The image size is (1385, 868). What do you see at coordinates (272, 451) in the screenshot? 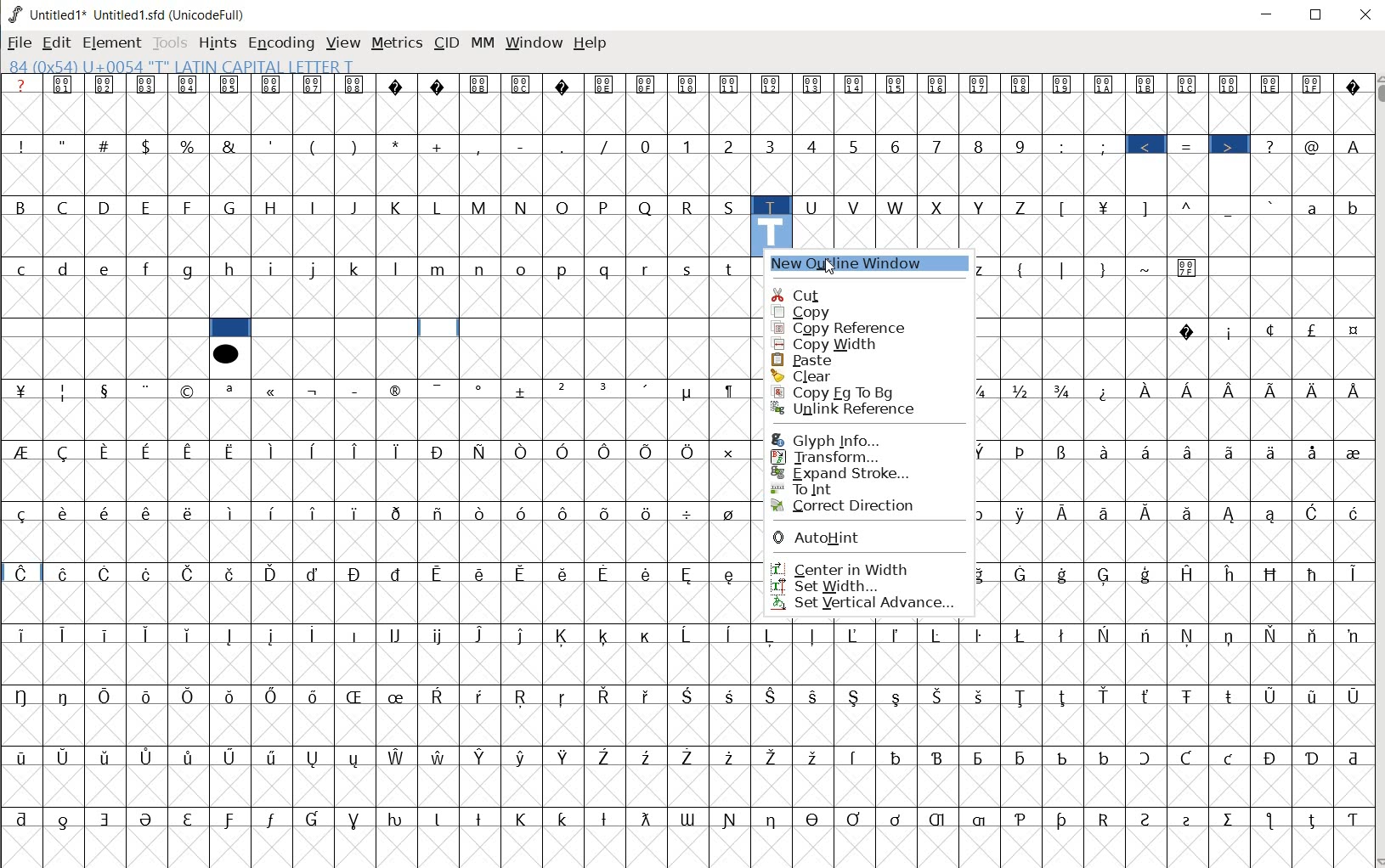
I see `Symbol` at bounding box center [272, 451].